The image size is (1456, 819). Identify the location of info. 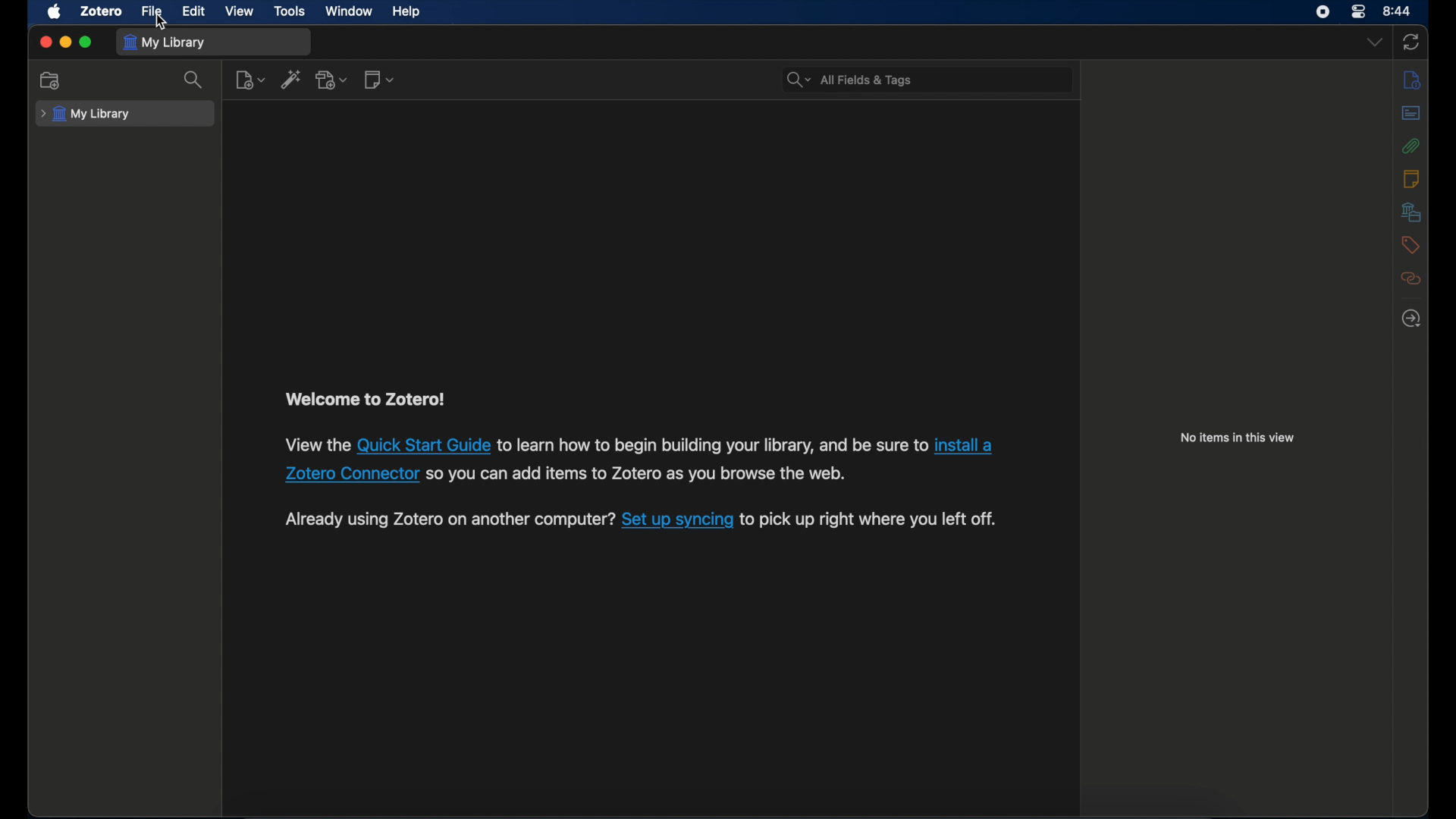
(1412, 81).